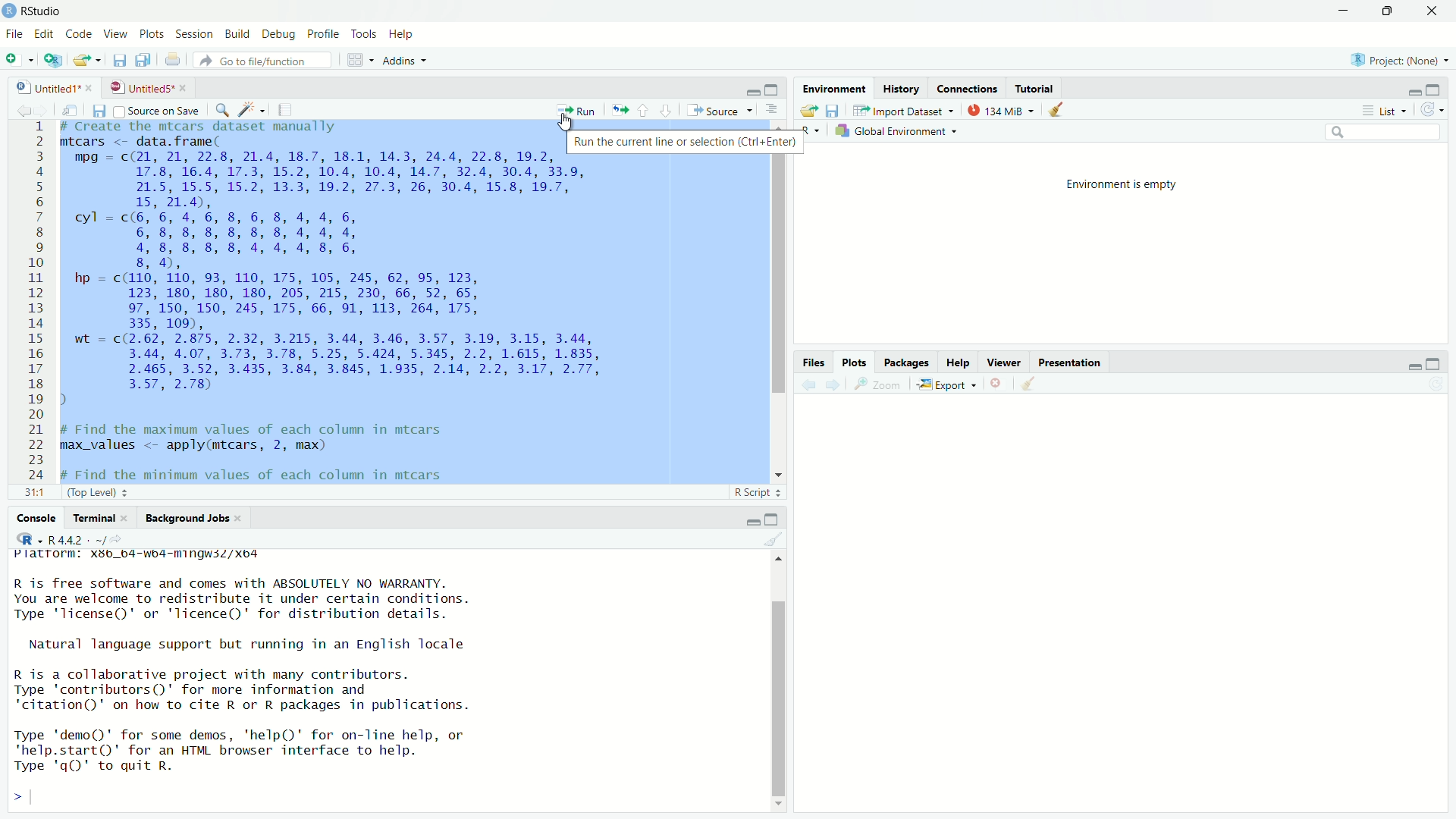  Describe the element at coordinates (1082, 362) in the screenshot. I see `Presentation` at that location.